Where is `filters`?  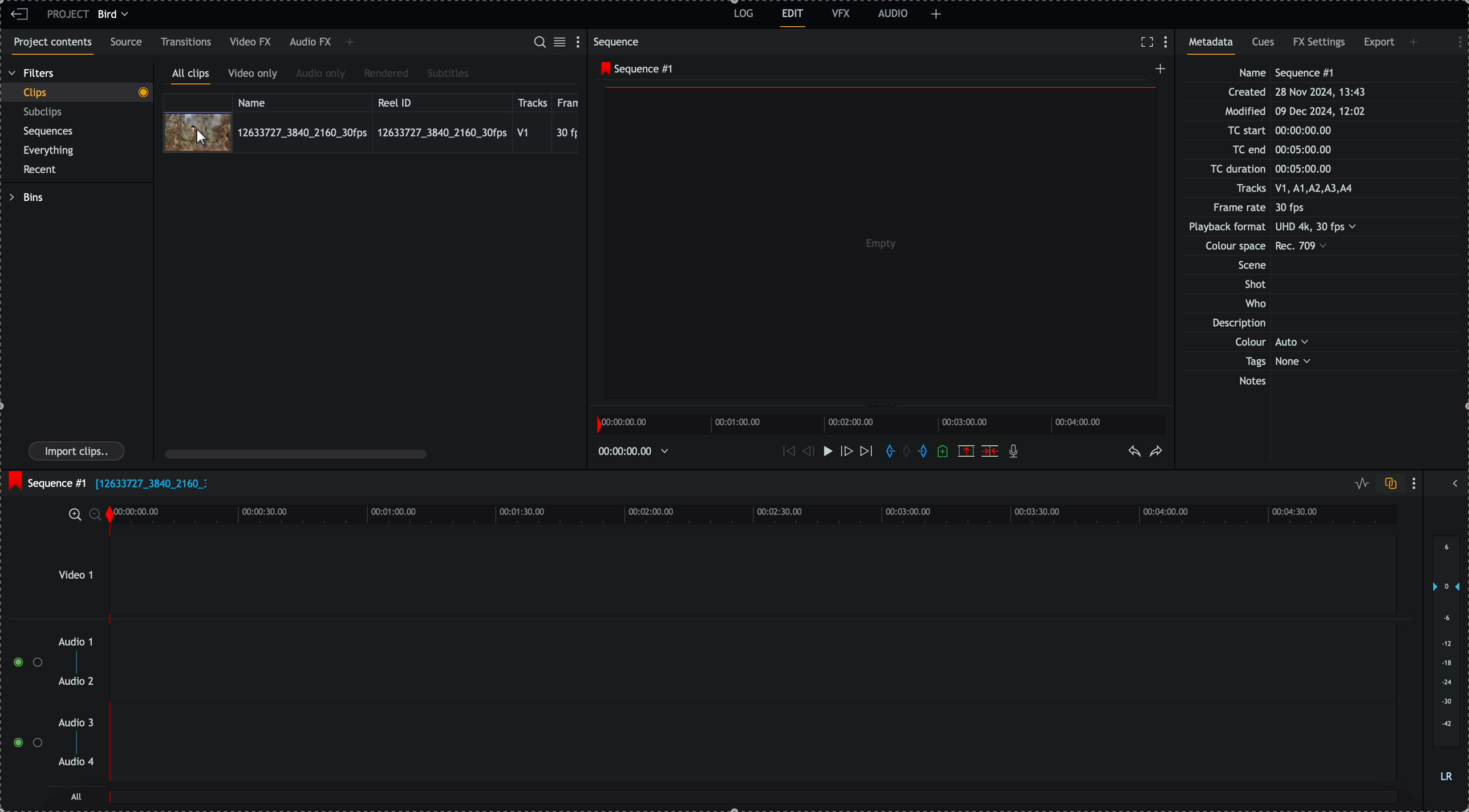 filters is located at coordinates (33, 74).